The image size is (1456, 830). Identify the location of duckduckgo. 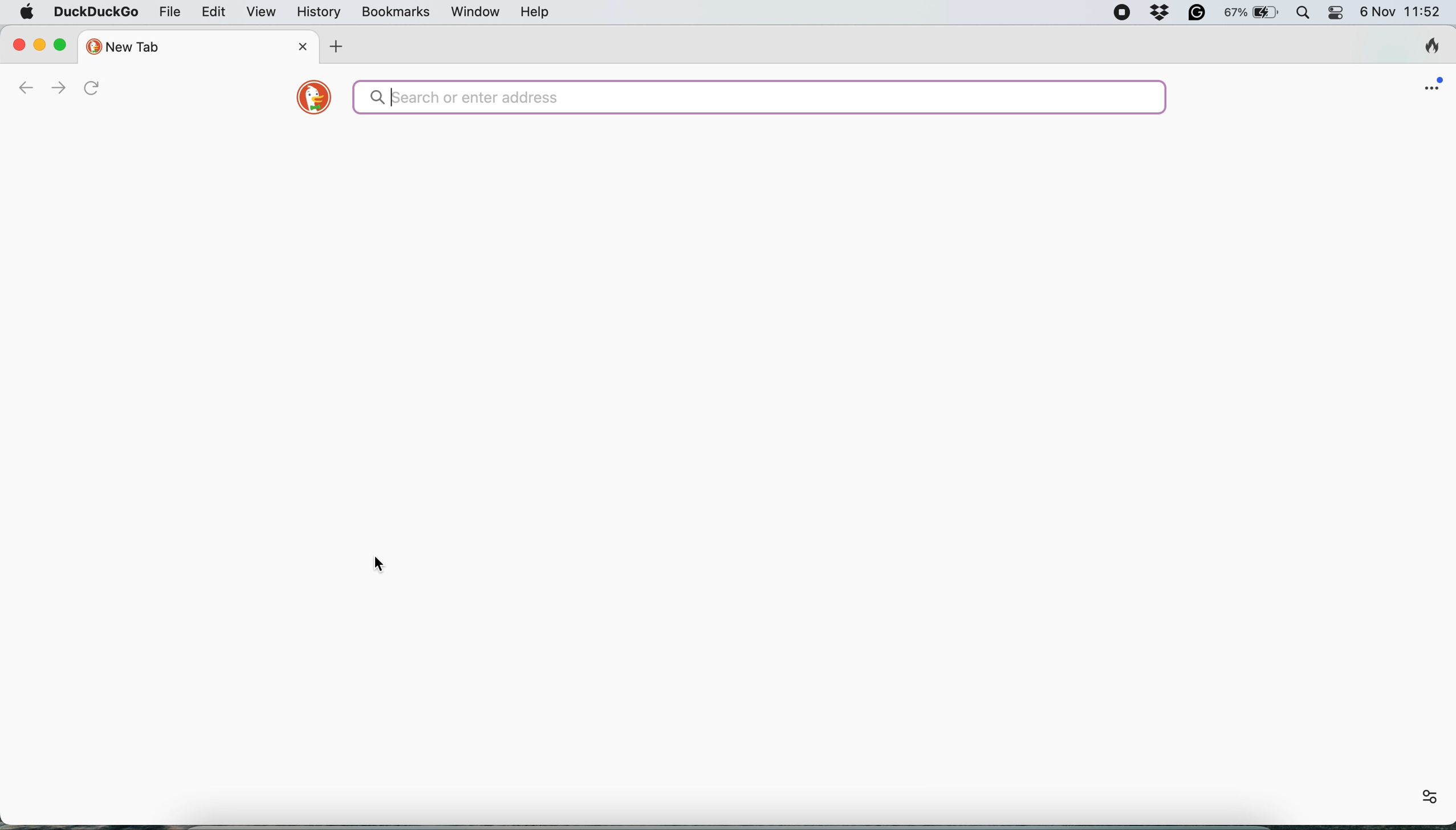
(97, 10).